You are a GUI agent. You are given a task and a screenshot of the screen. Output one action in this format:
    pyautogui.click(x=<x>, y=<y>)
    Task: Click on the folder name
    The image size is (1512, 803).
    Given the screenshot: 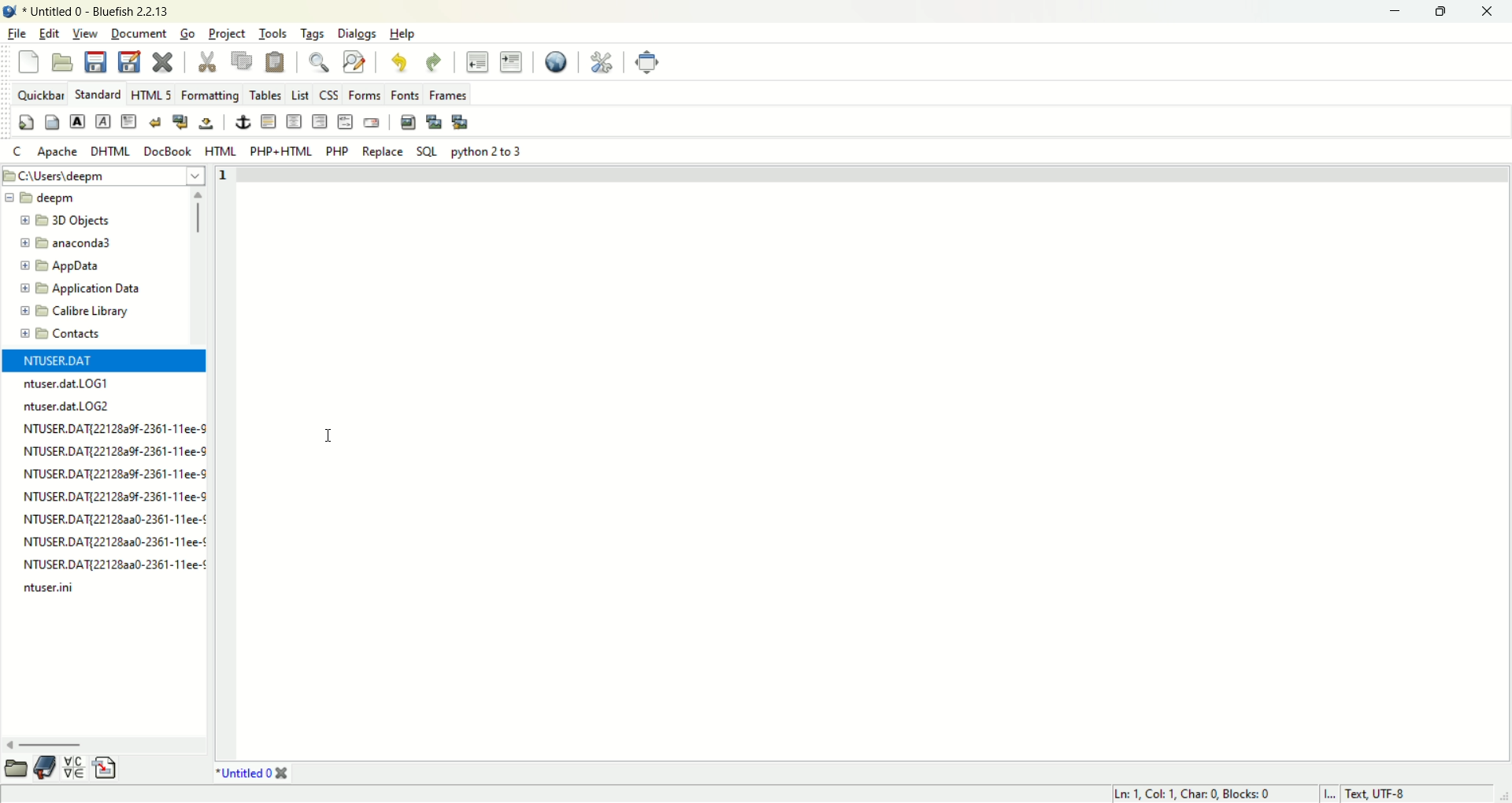 What is the action you would take?
    pyautogui.click(x=86, y=244)
    